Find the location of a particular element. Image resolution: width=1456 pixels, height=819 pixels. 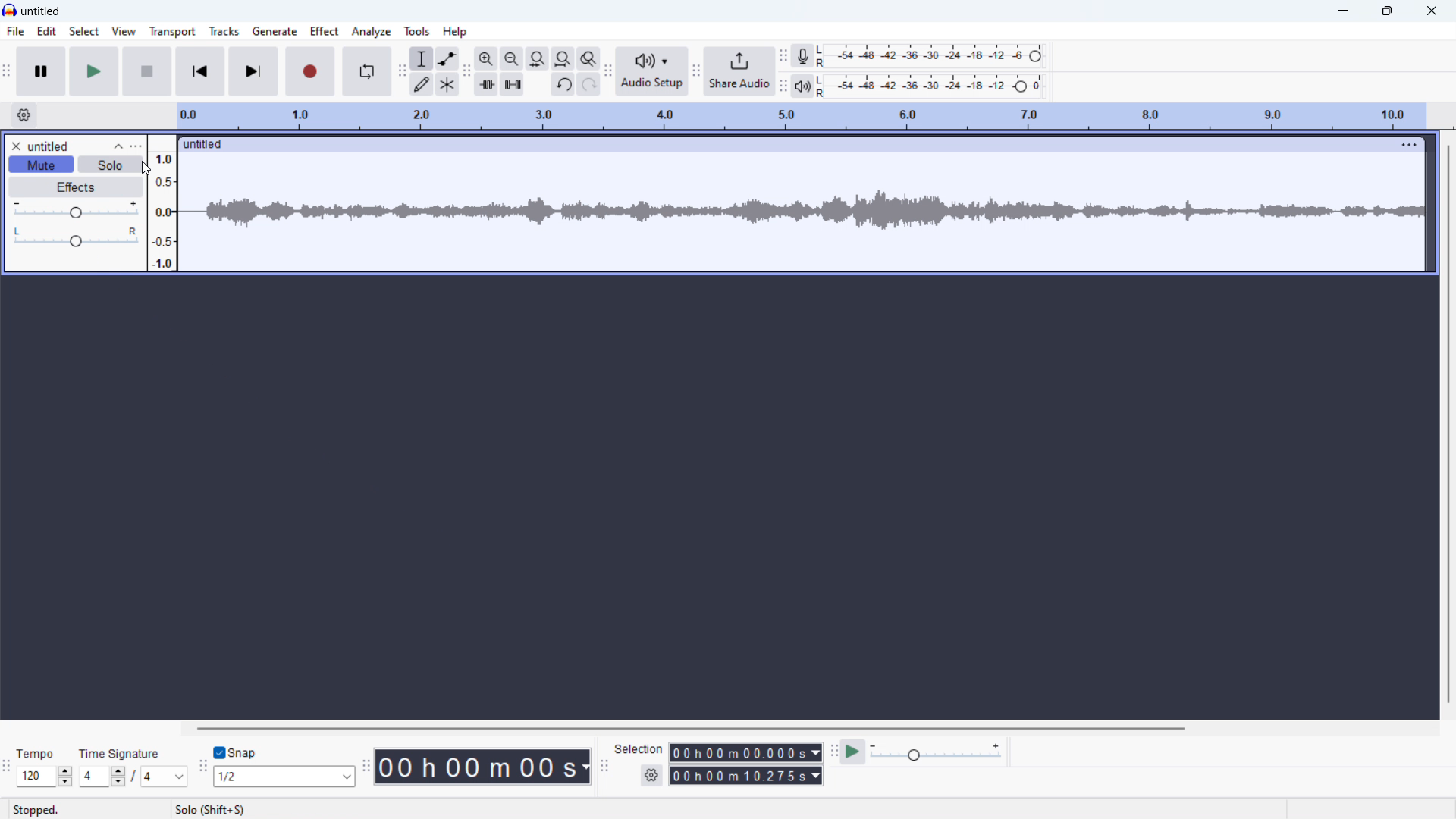

recording meter toolbar is located at coordinates (784, 55).